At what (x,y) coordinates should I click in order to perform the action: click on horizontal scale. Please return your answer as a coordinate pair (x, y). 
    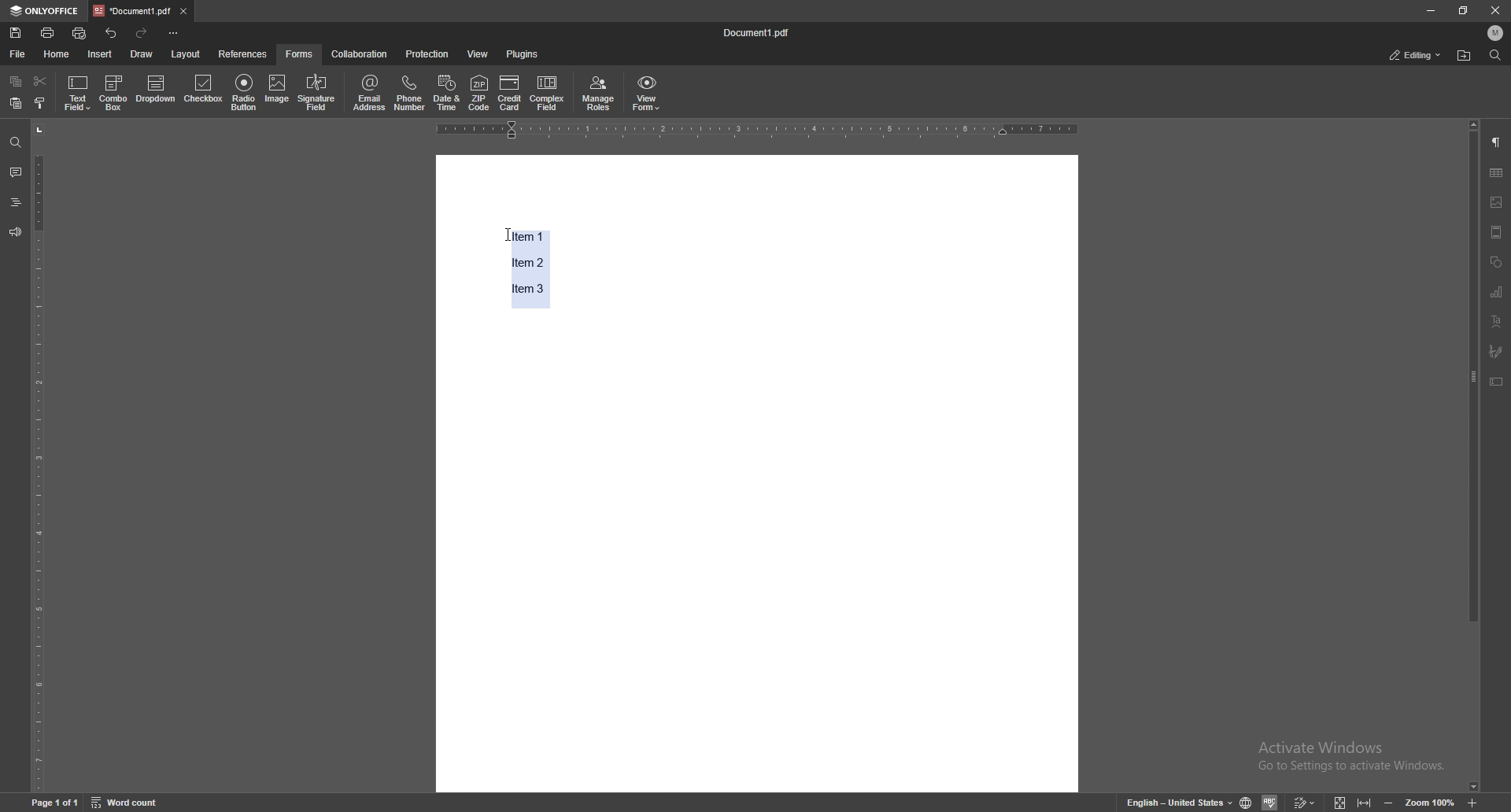
    Looking at the image, I should click on (756, 131).